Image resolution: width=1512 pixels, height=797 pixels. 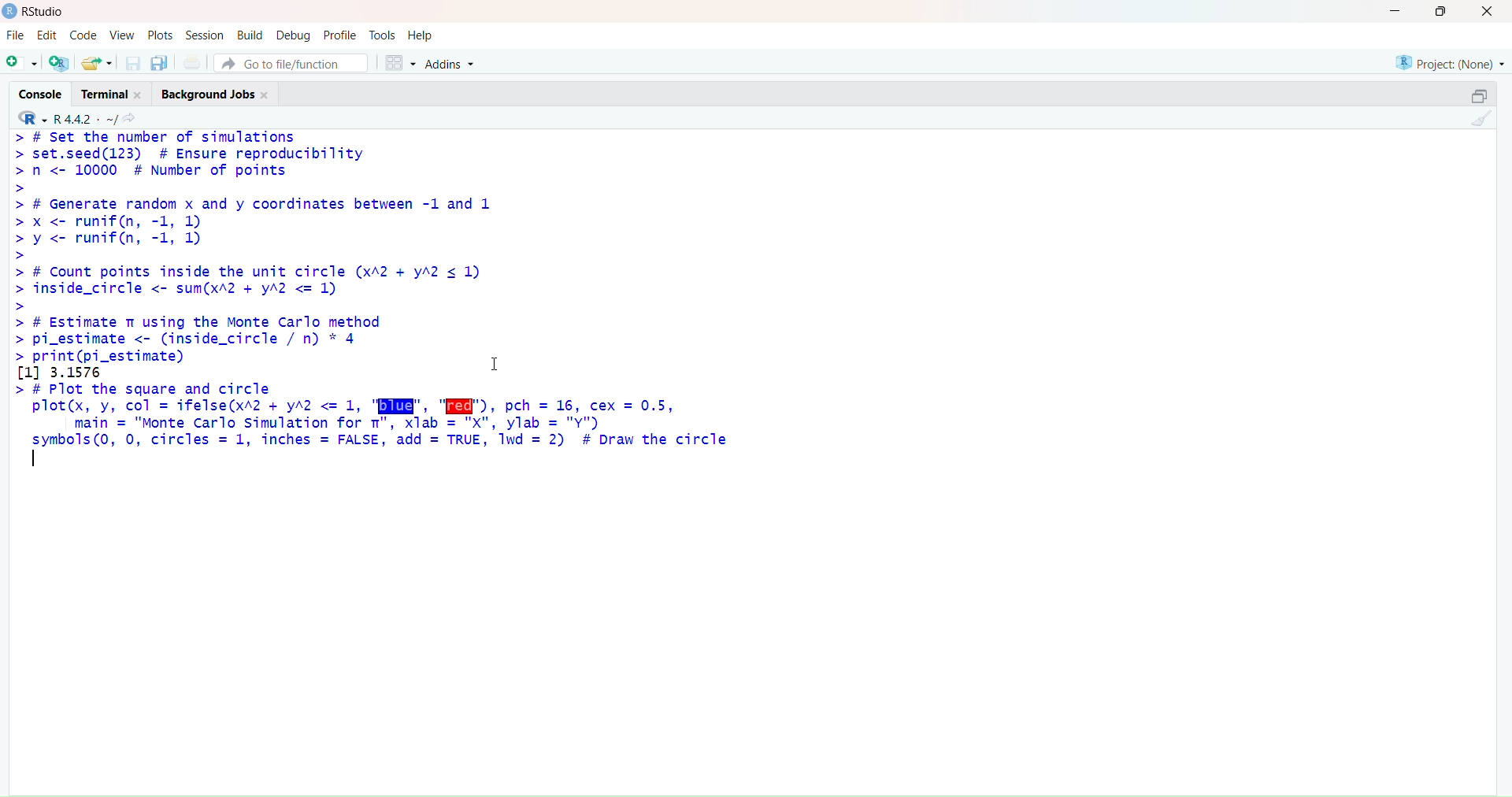 I want to click on Project (Note), so click(x=1444, y=63).